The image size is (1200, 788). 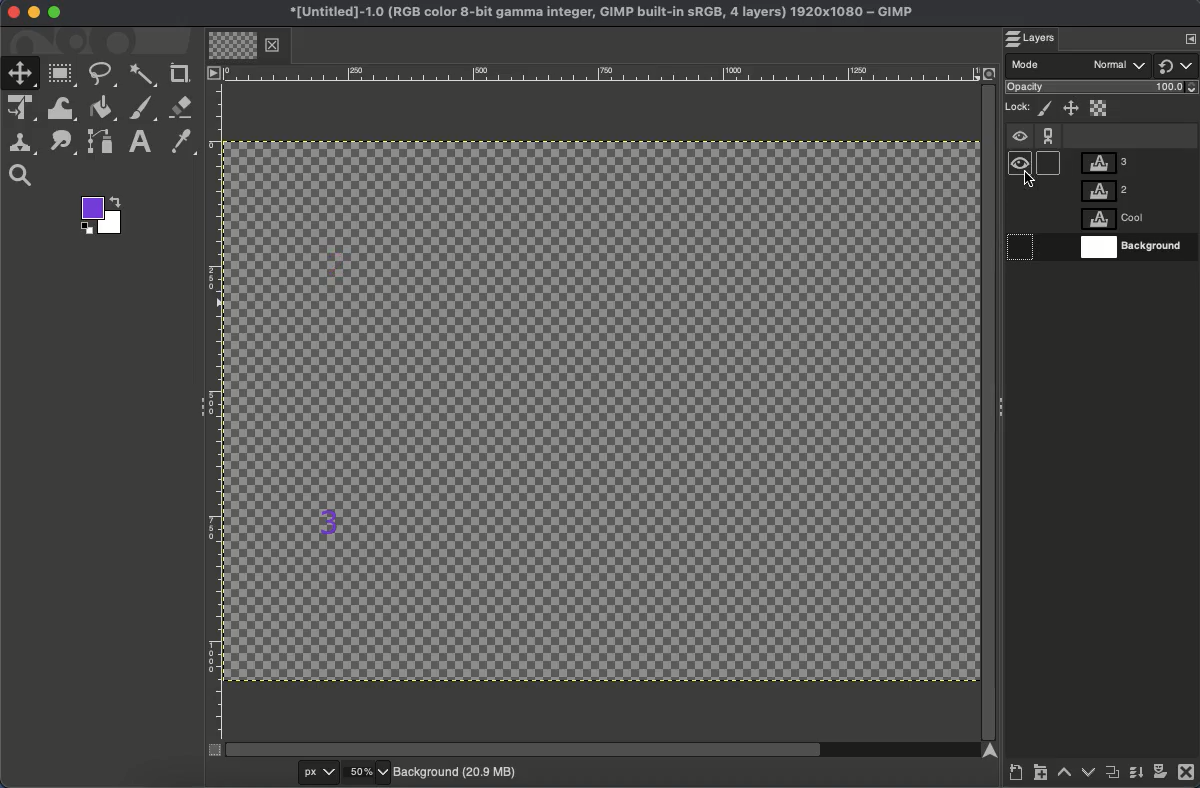 What do you see at coordinates (142, 75) in the screenshot?
I see `Fuzzy select` at bounding box center [142, 75].